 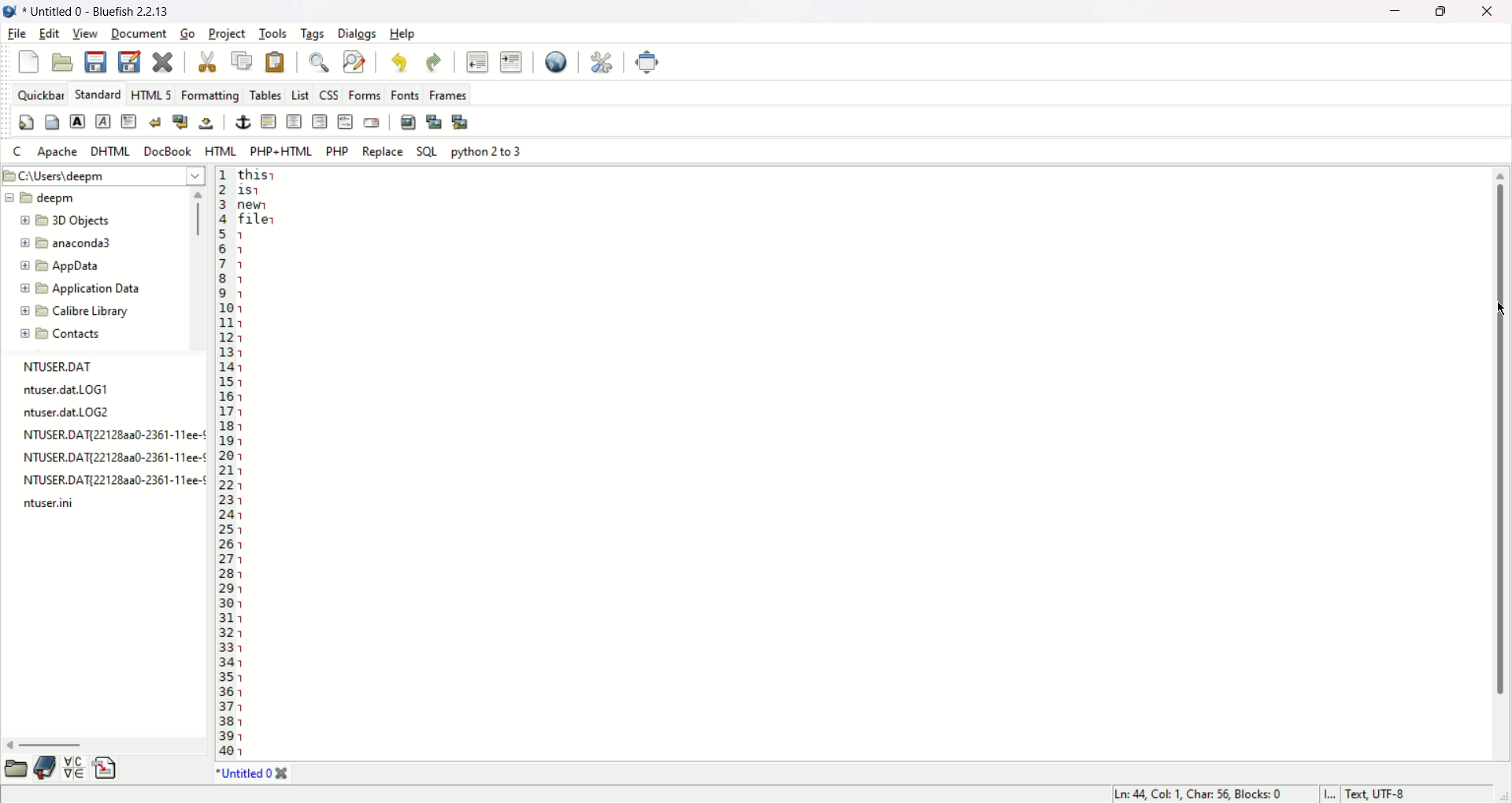 What do you see at coordinates (1201, 794) in the screenshot?
I see `cusor position` at bounding box center [1201, 794].